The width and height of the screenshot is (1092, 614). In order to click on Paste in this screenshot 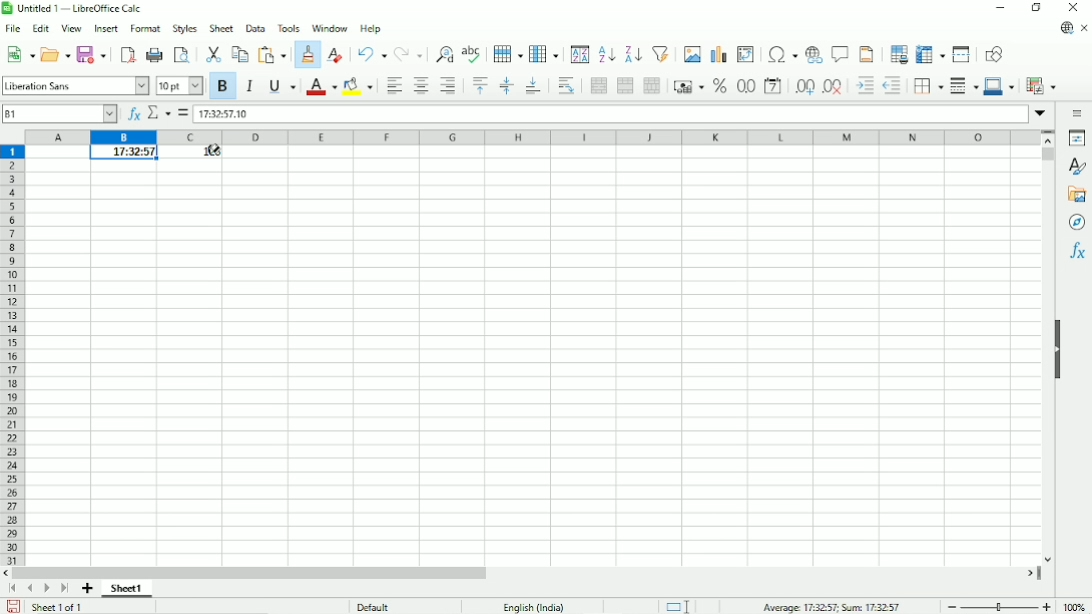, I will do `click(271, 54)`.